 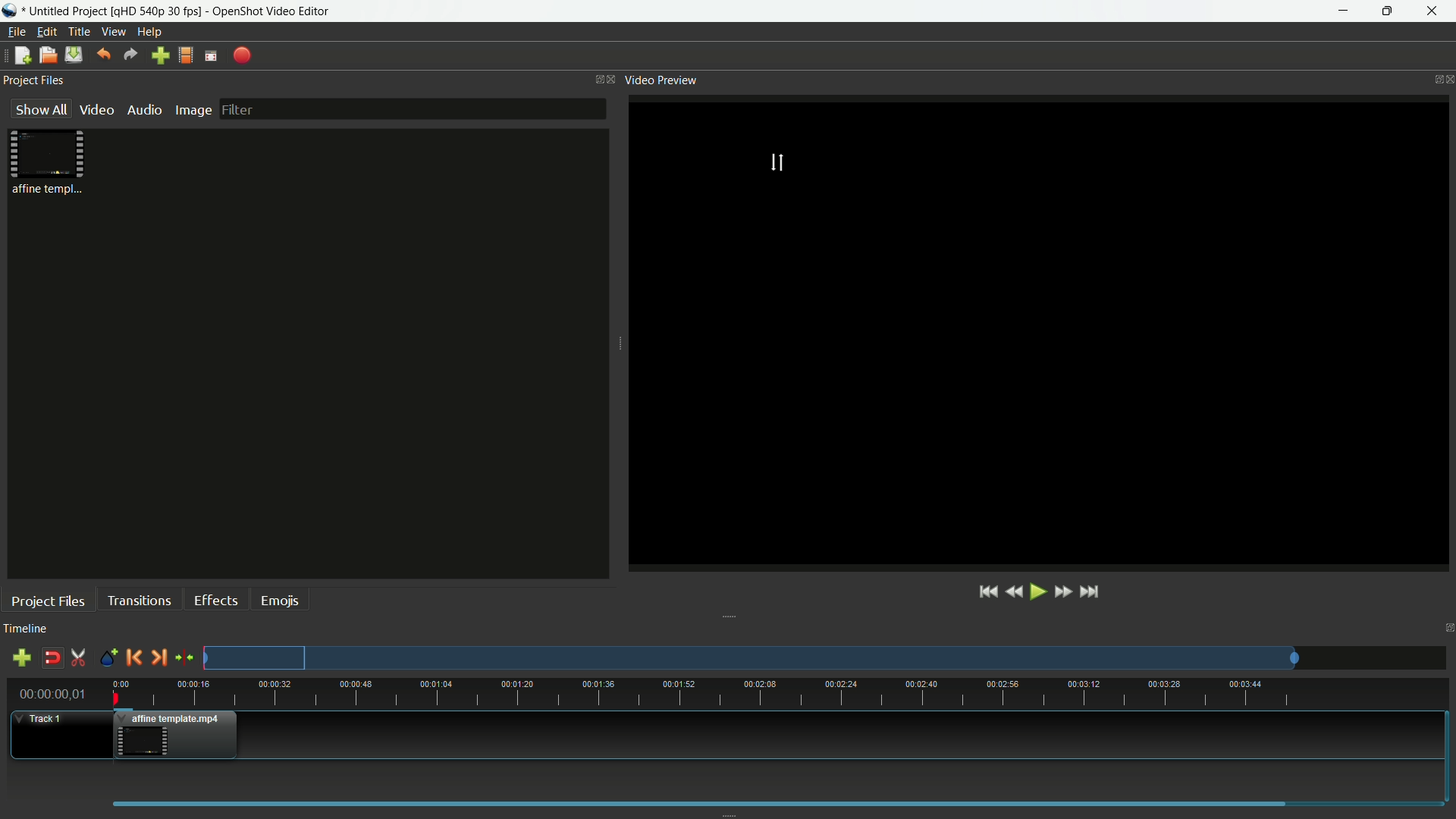 I want to click on enable razor, so click(x=79, y=657).